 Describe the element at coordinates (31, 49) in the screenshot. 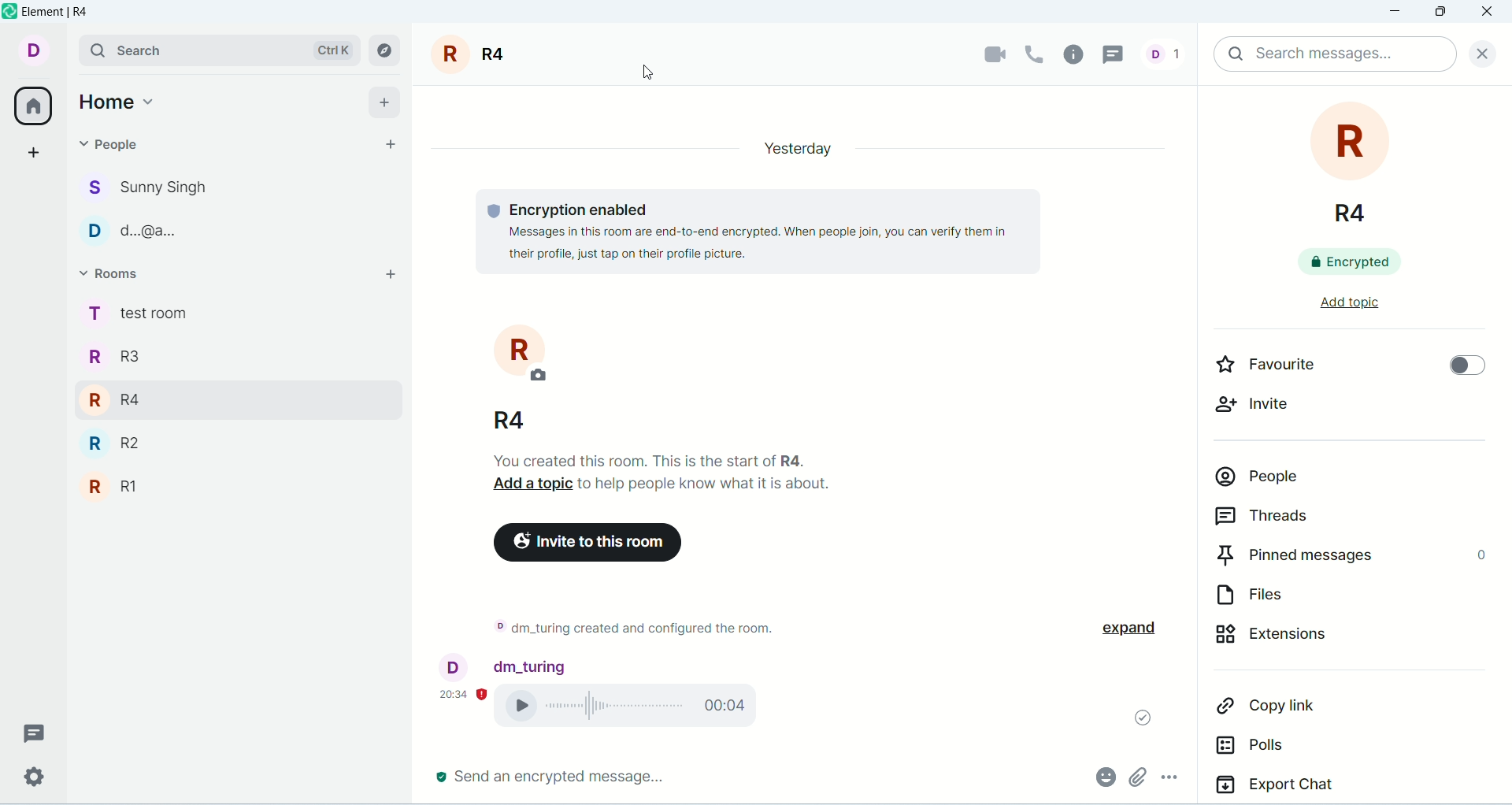

I see `account` at that location.